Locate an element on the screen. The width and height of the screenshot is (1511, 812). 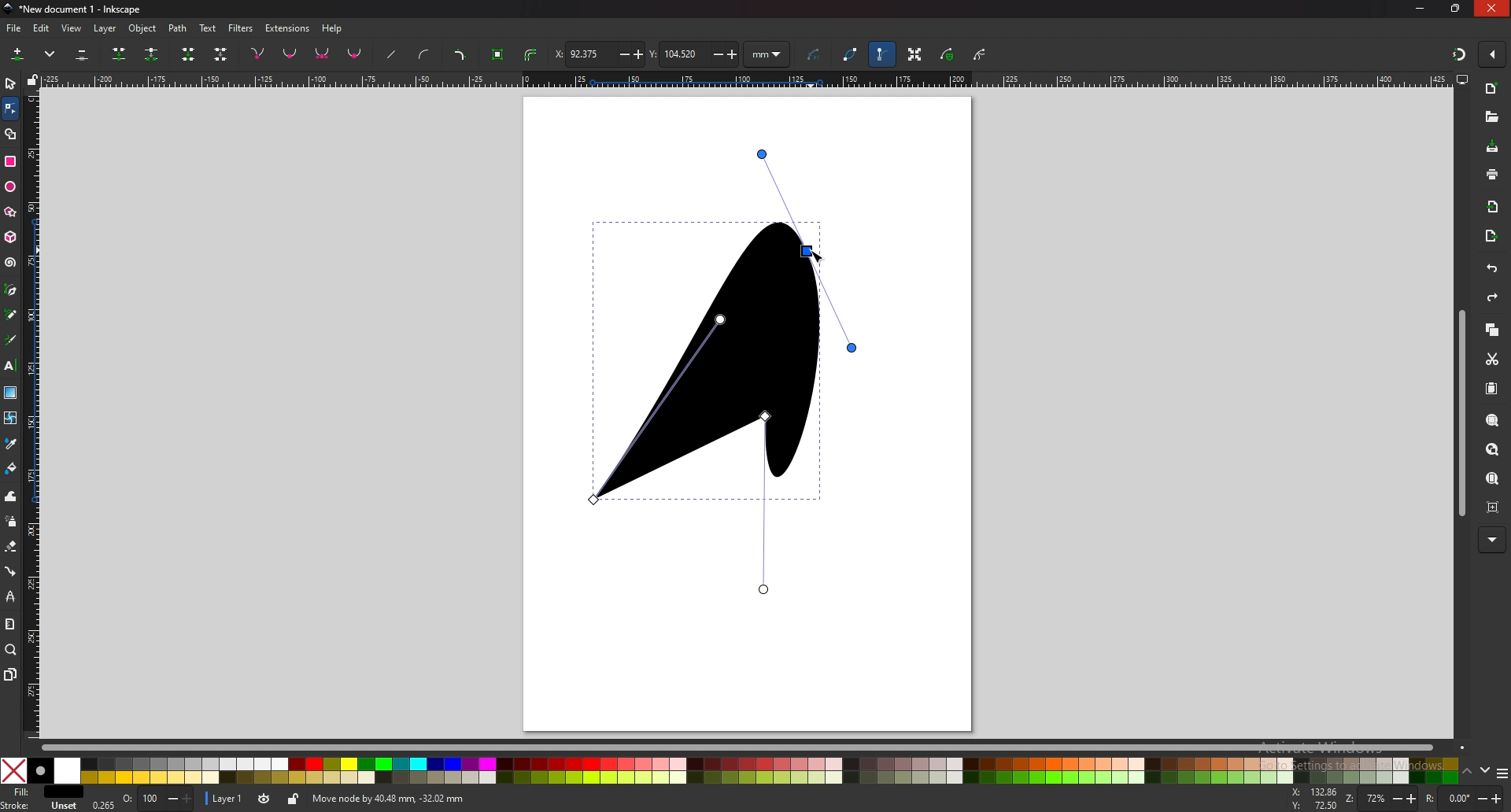
tweak is located at coordinates (10, 496).